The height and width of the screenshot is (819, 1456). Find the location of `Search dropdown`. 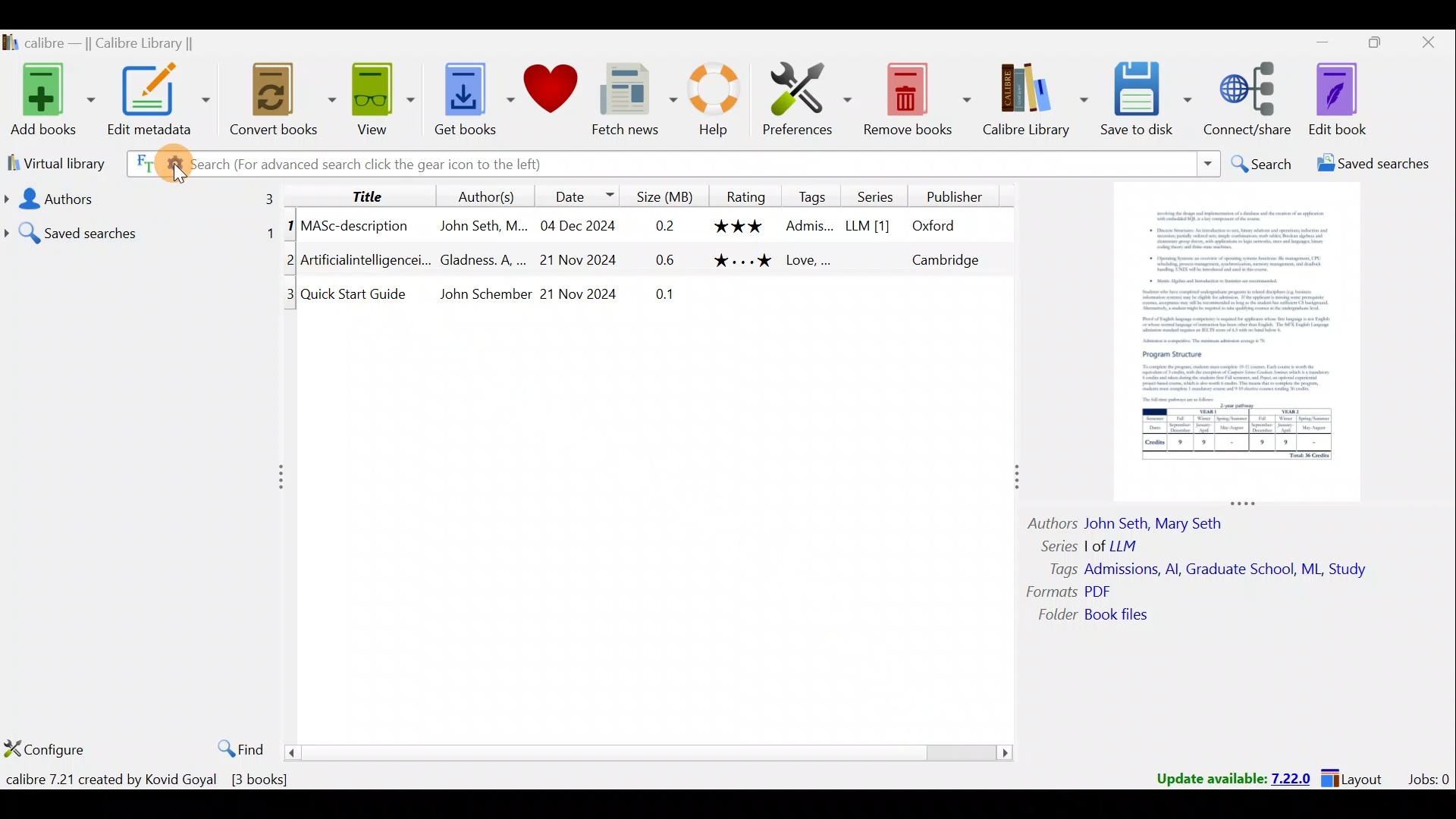

Search dropdown is located at coordinates (1207, 164).